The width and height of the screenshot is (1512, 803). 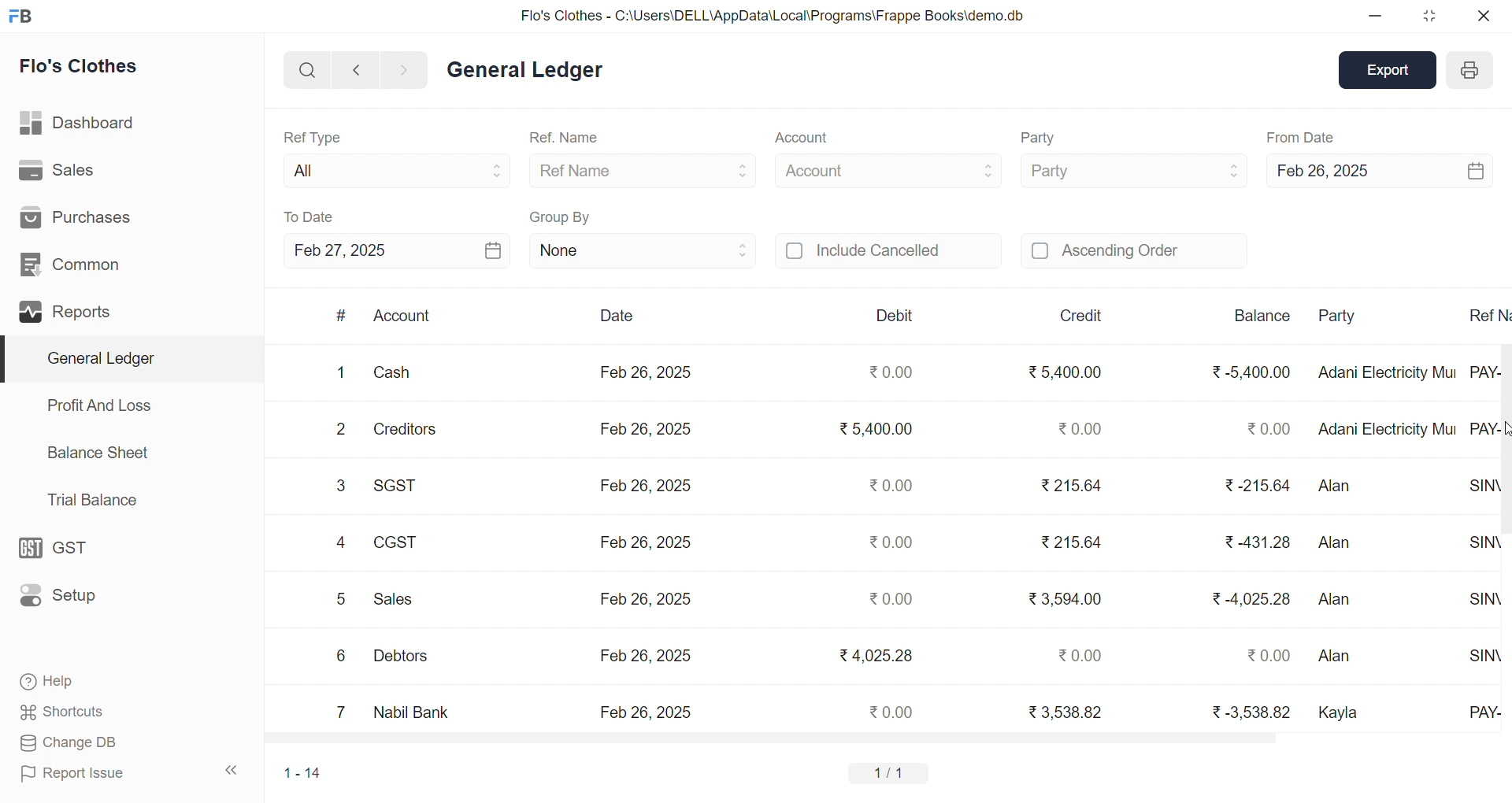 I want to click on To Date, so click(x=310, y=216).